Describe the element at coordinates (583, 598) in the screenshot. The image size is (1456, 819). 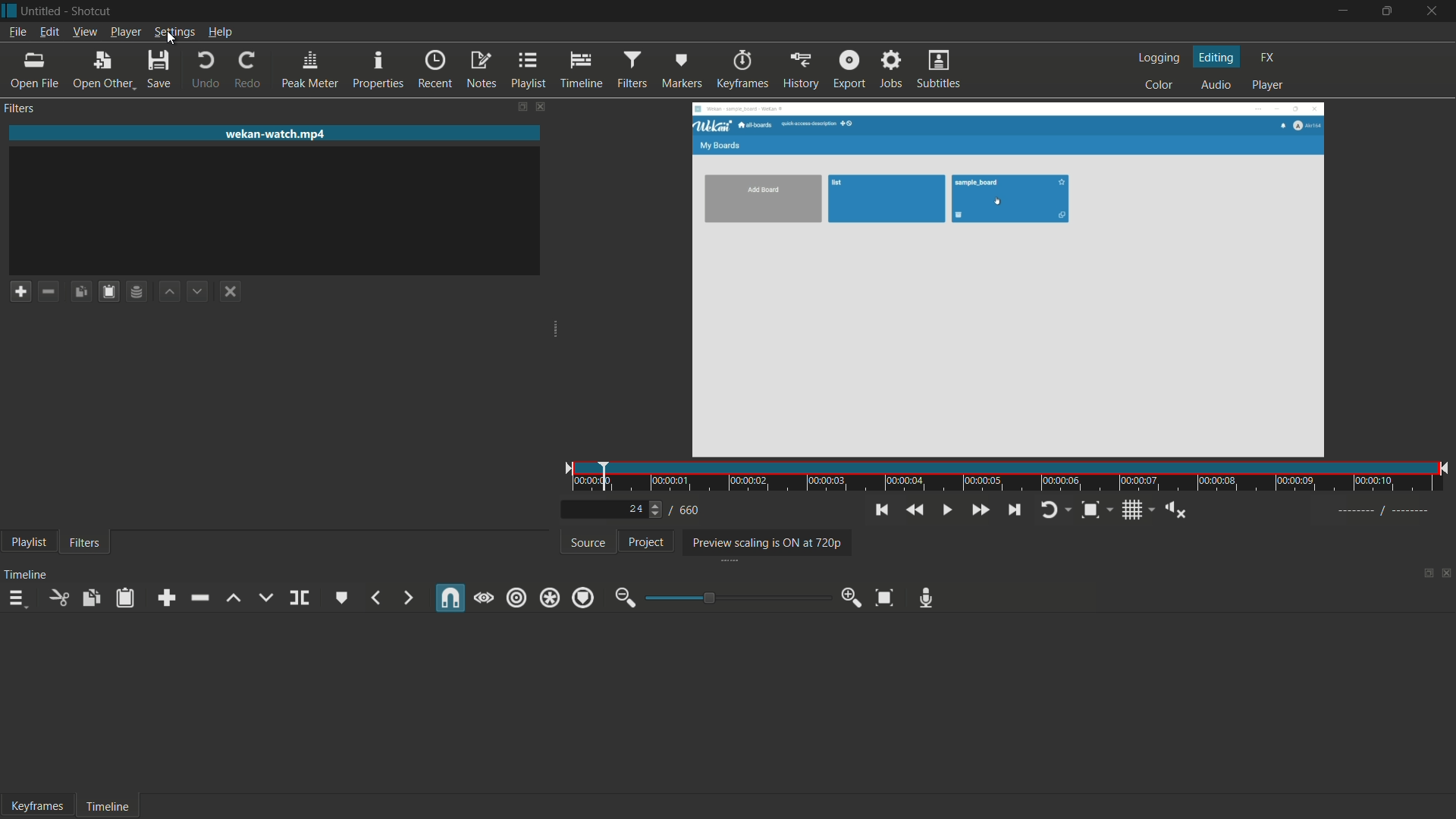
I see `ripple markers` at that location.